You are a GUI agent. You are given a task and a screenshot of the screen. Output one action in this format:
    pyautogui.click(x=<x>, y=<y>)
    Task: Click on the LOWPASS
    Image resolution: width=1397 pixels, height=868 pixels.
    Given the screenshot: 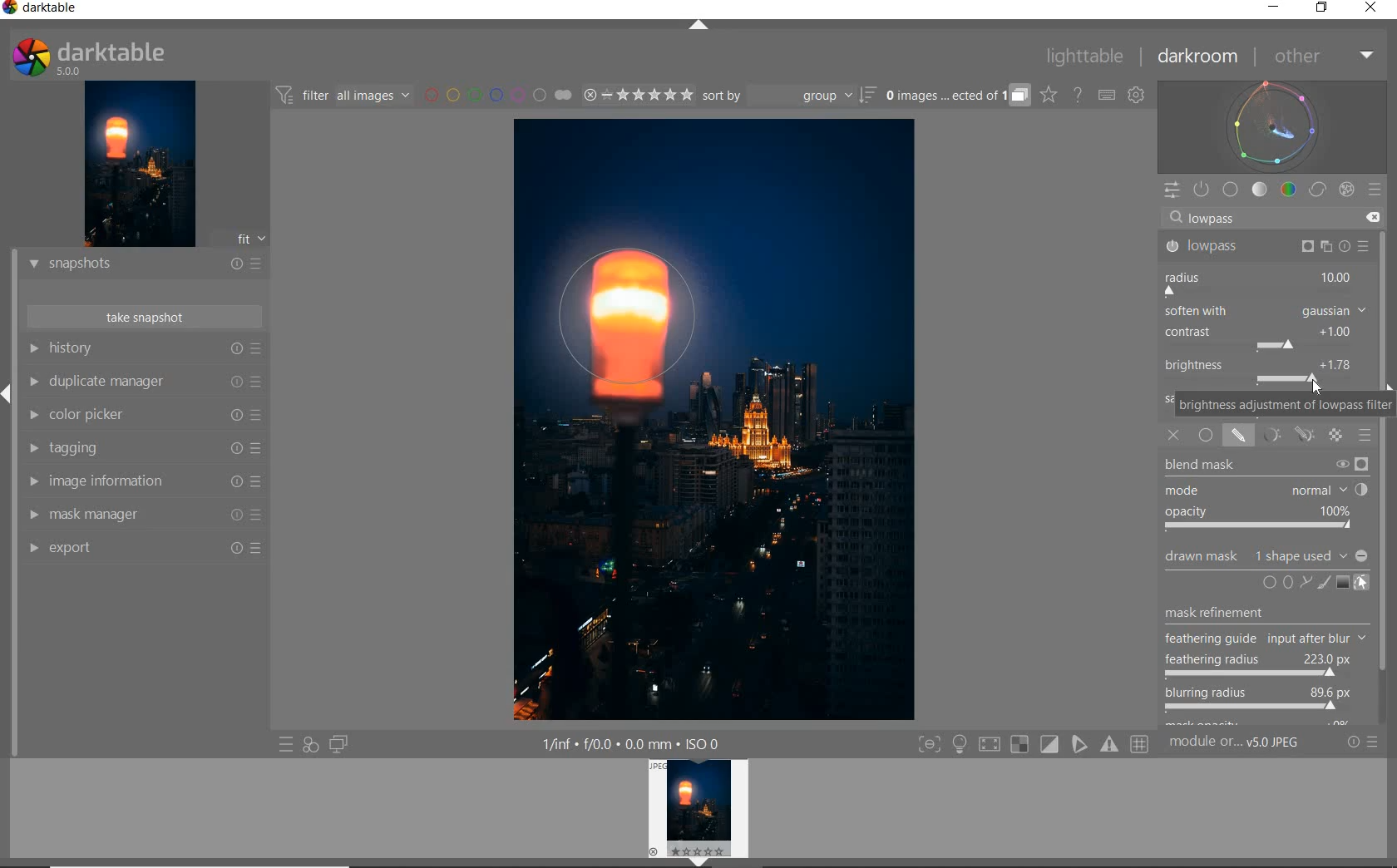 What is the action you would take?
    pyautogui.click(x=1265, y=245)
    